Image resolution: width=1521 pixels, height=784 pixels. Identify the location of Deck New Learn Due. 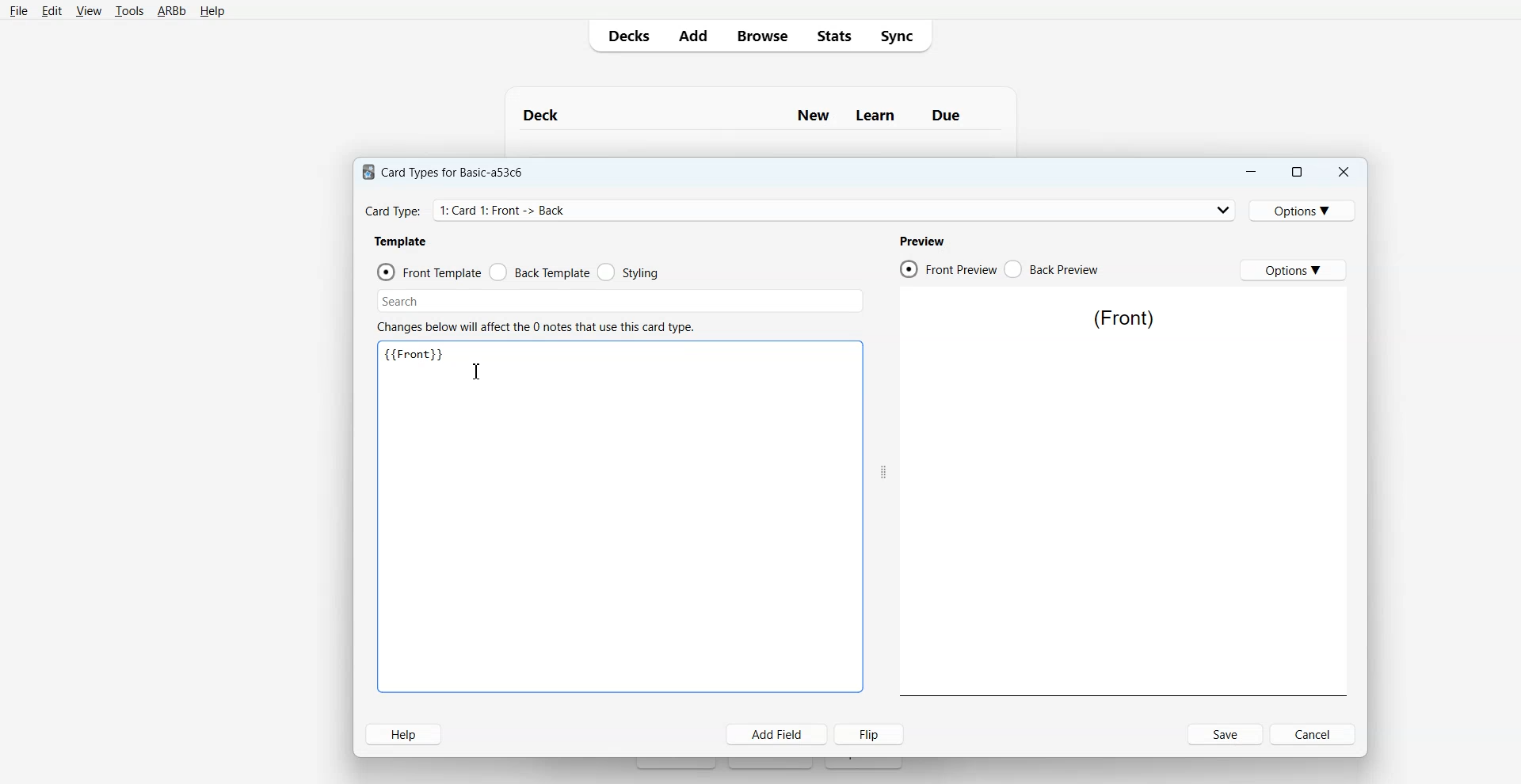
(750, 115).